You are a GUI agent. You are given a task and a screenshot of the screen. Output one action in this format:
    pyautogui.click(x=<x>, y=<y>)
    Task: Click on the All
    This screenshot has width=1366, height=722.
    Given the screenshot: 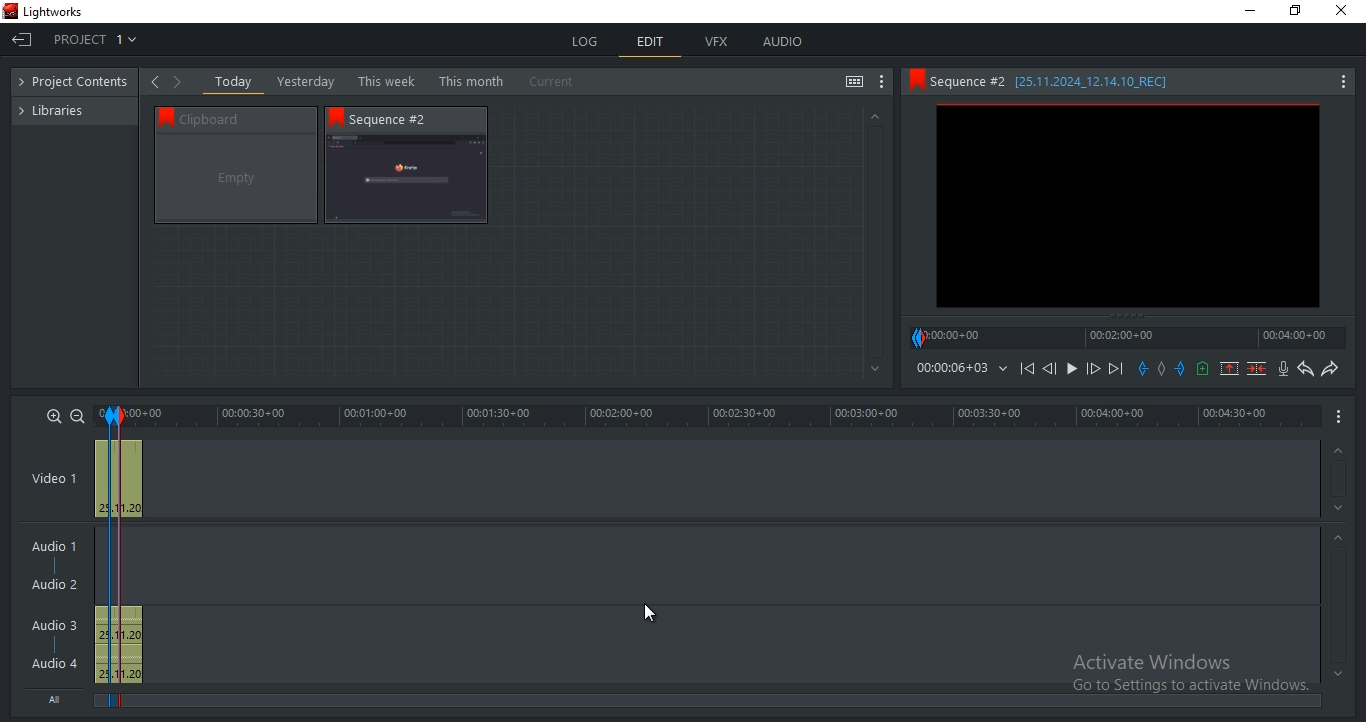 What is the action you would take?
    pyautogui.click(x=59, y=697)
    